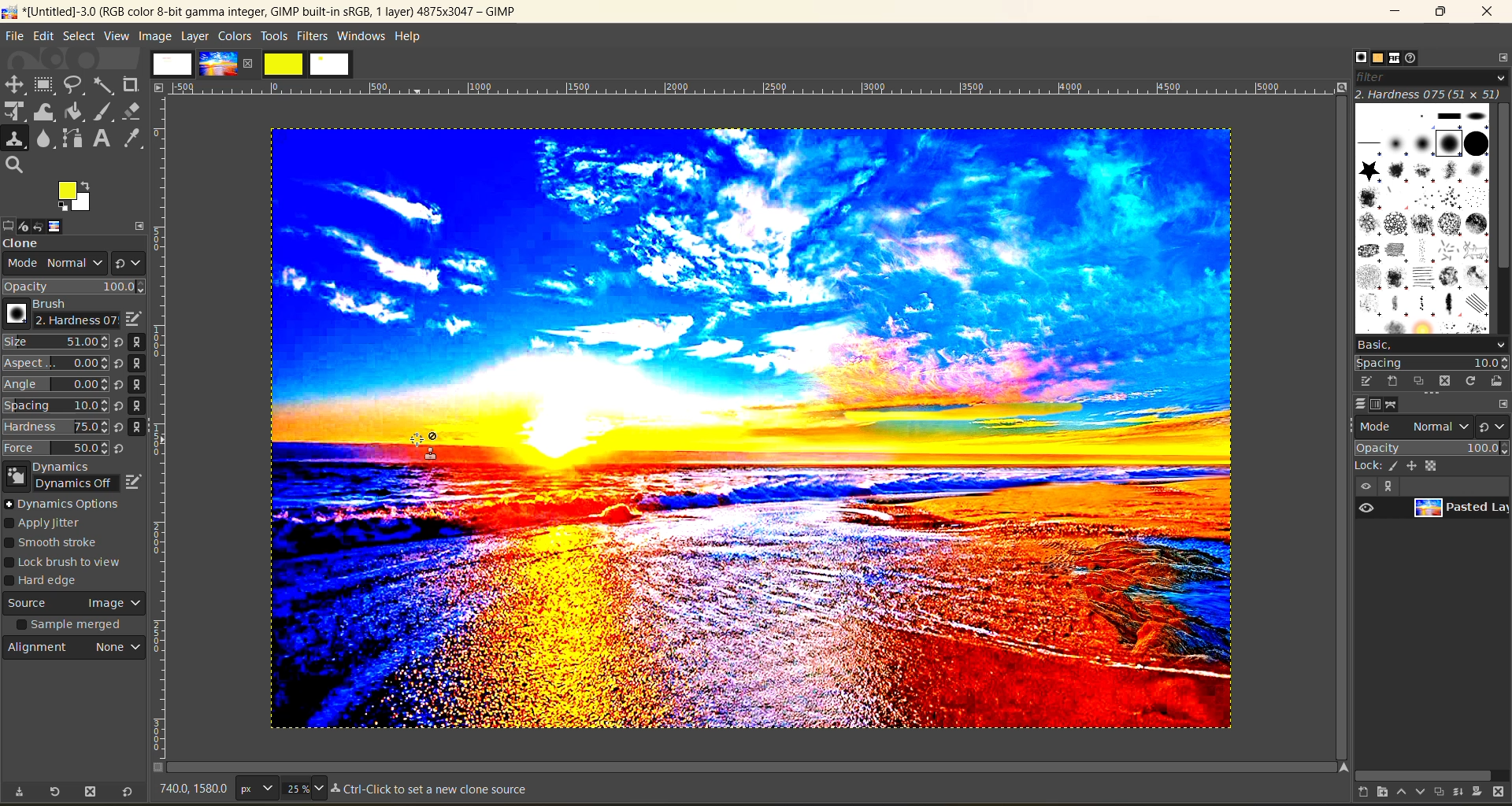 This screenshot has width=1512, height=806. What do you see at coordinates (1458, 791) in the screenshot?
I see `merge this layer` at bounding box center [1458, 791].